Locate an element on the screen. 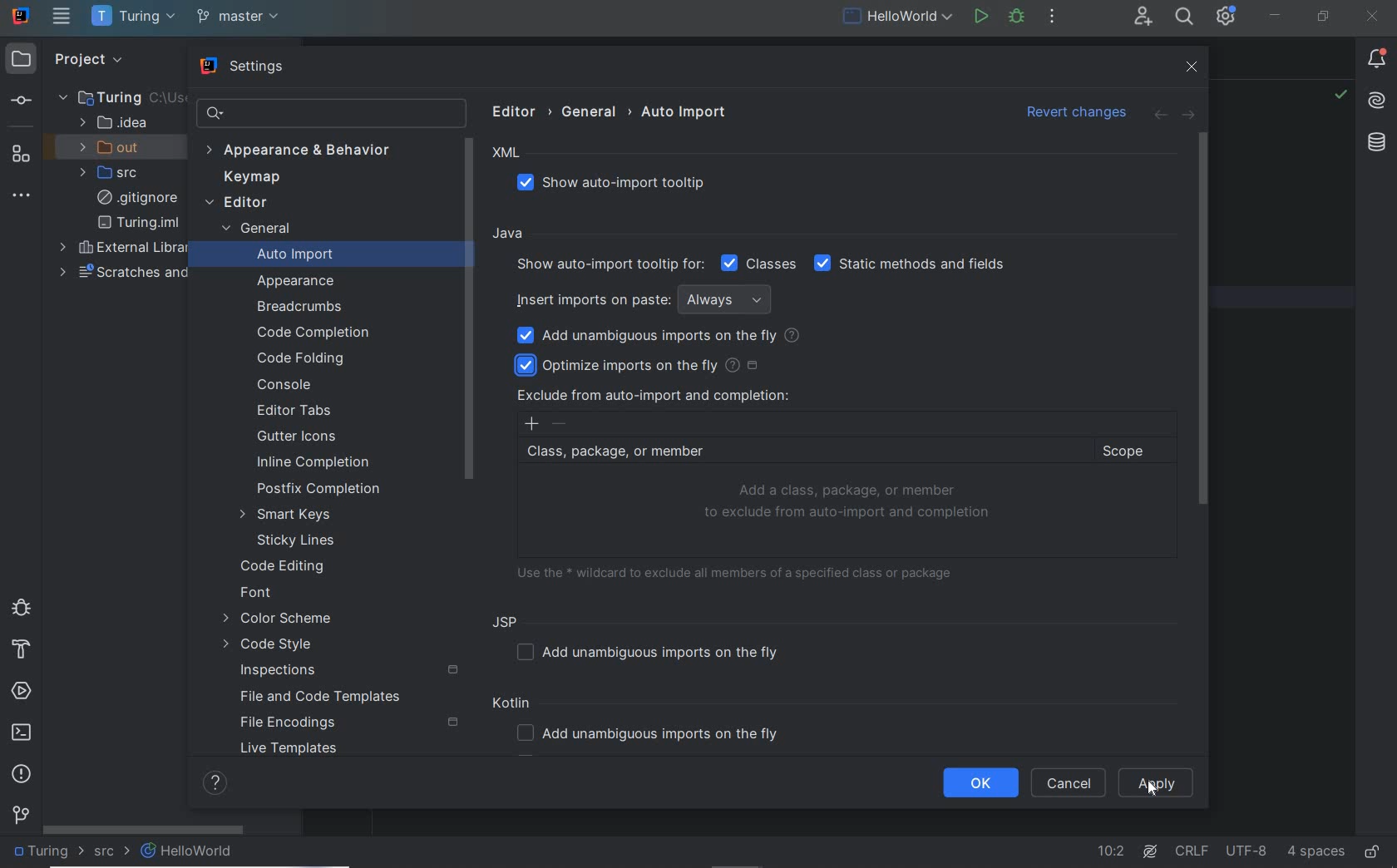 The height and width of the screenshot is (868, 1397). scratches and consoles is located at coordinates (131, 272).